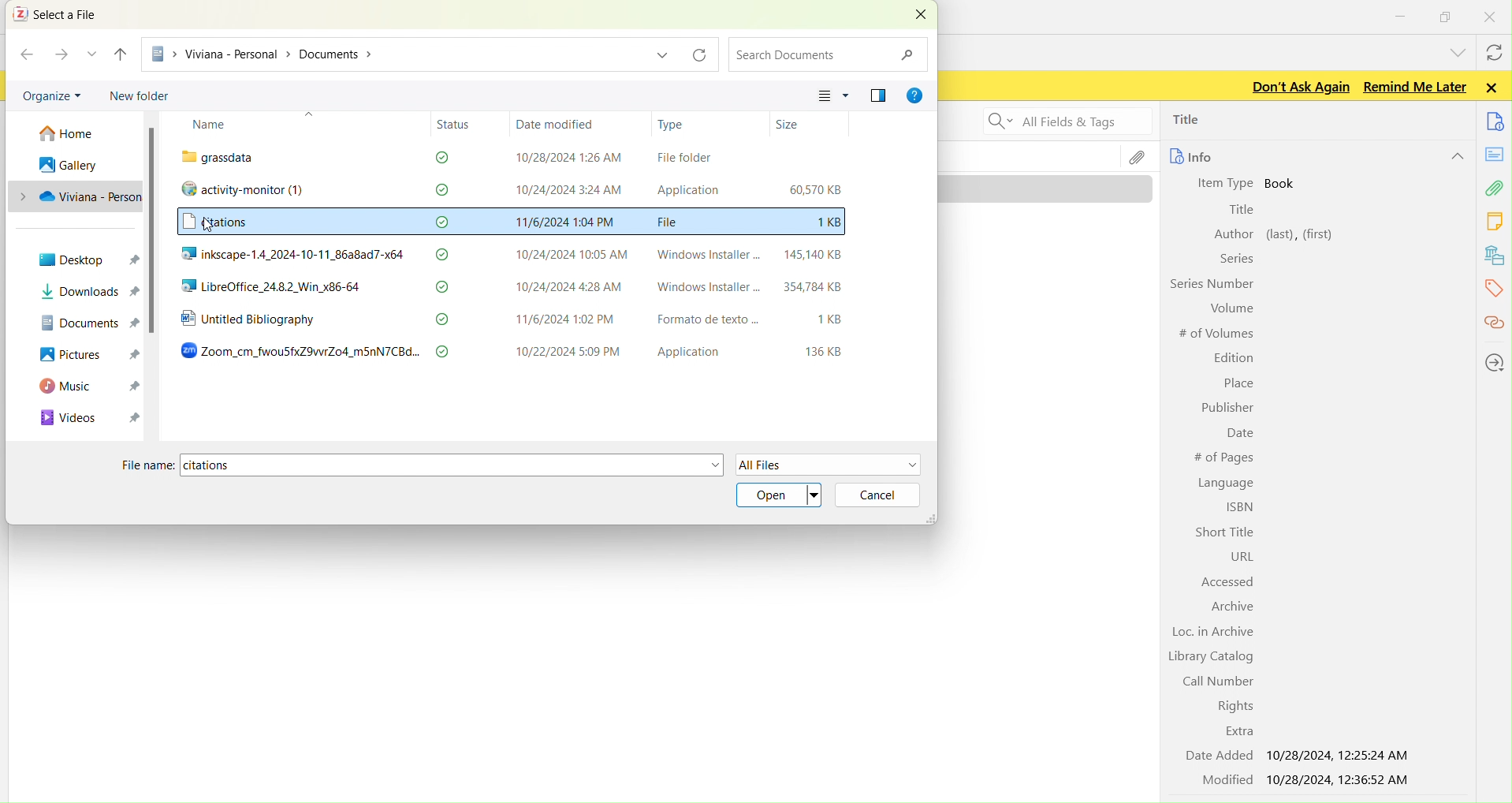  I want to click on syncwith zotero, so click(1497, 51).